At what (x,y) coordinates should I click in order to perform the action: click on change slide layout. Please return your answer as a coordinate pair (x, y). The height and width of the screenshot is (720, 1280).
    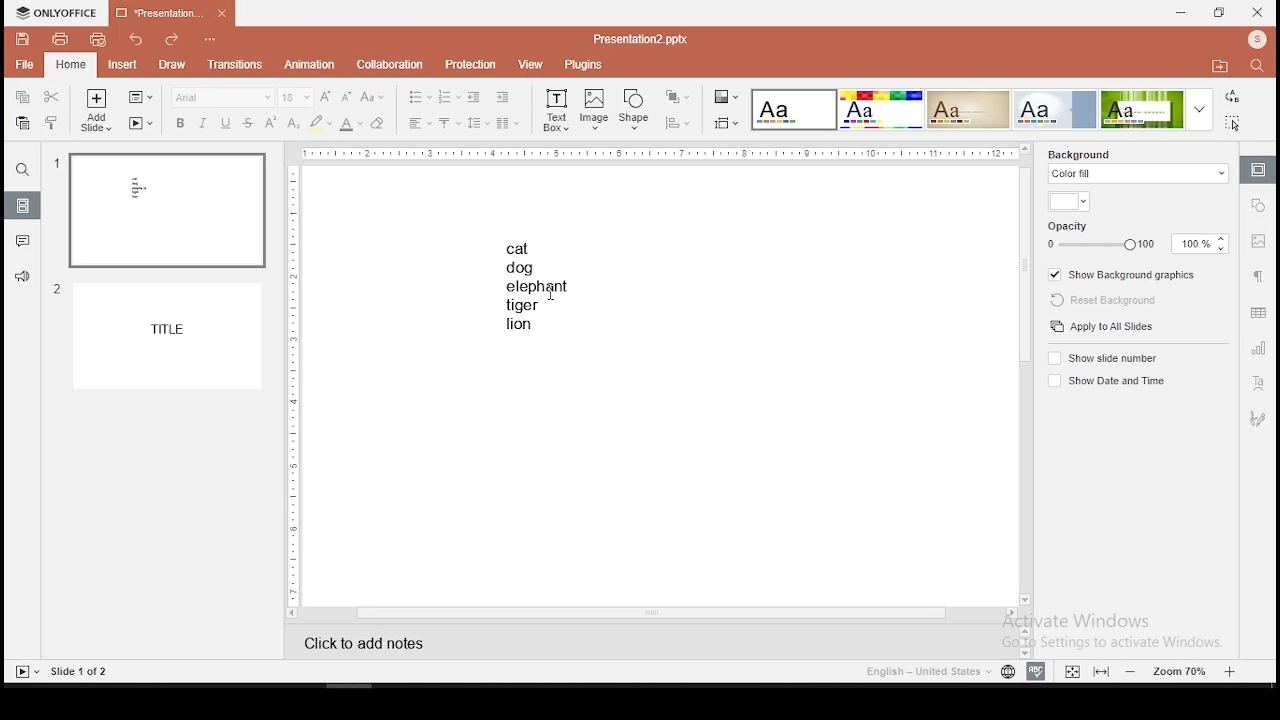
    Looking at the image, I should click on (140, 96).